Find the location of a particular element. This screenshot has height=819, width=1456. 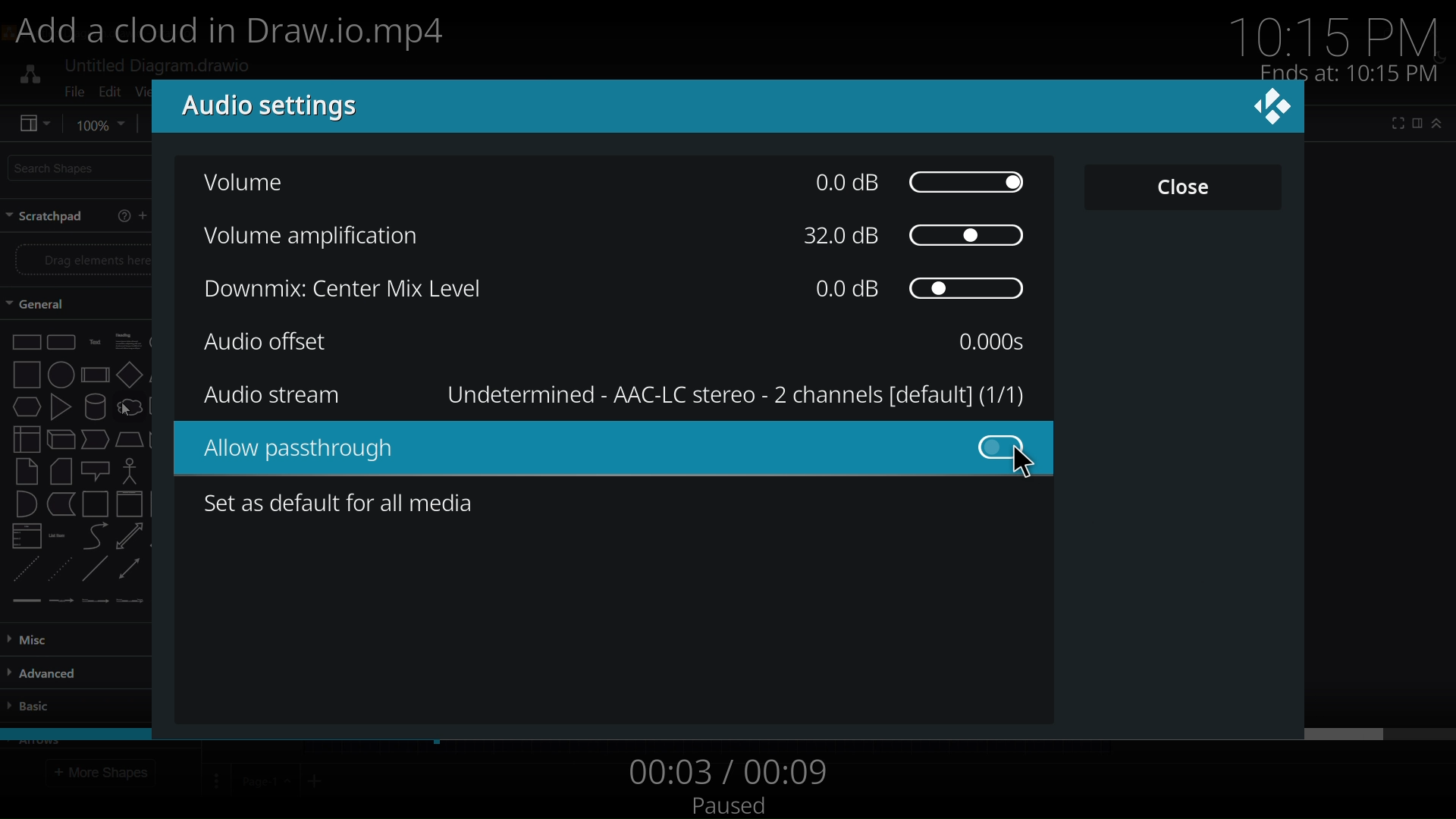

Add a cloud in Draw.io.mp4 is located at coordinates (240, 32).